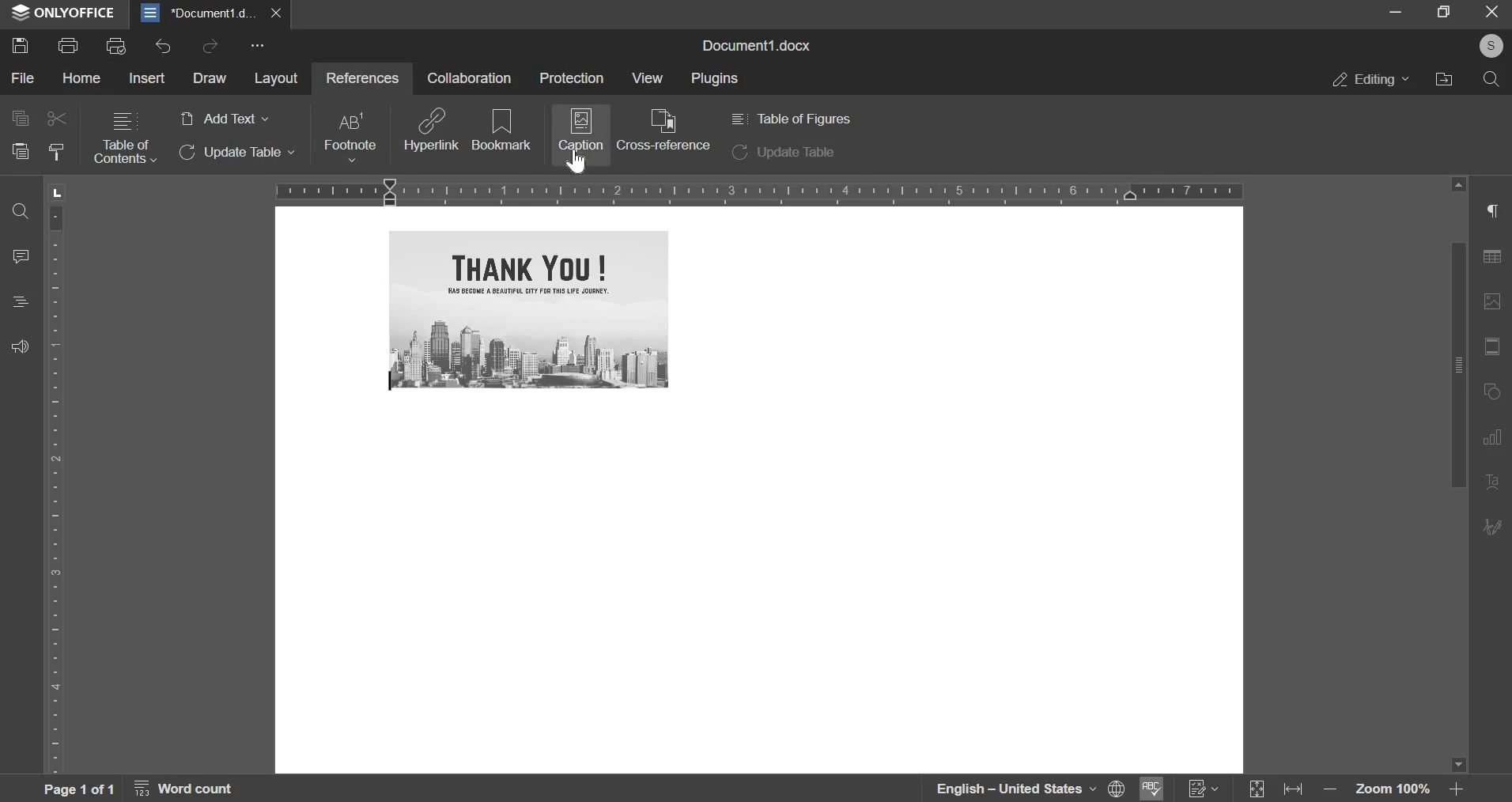 This screenshot has height=802, width=1512. Describe the element at coordinates (1495, 213) in the screenshot. I see `right side menu` at that location.